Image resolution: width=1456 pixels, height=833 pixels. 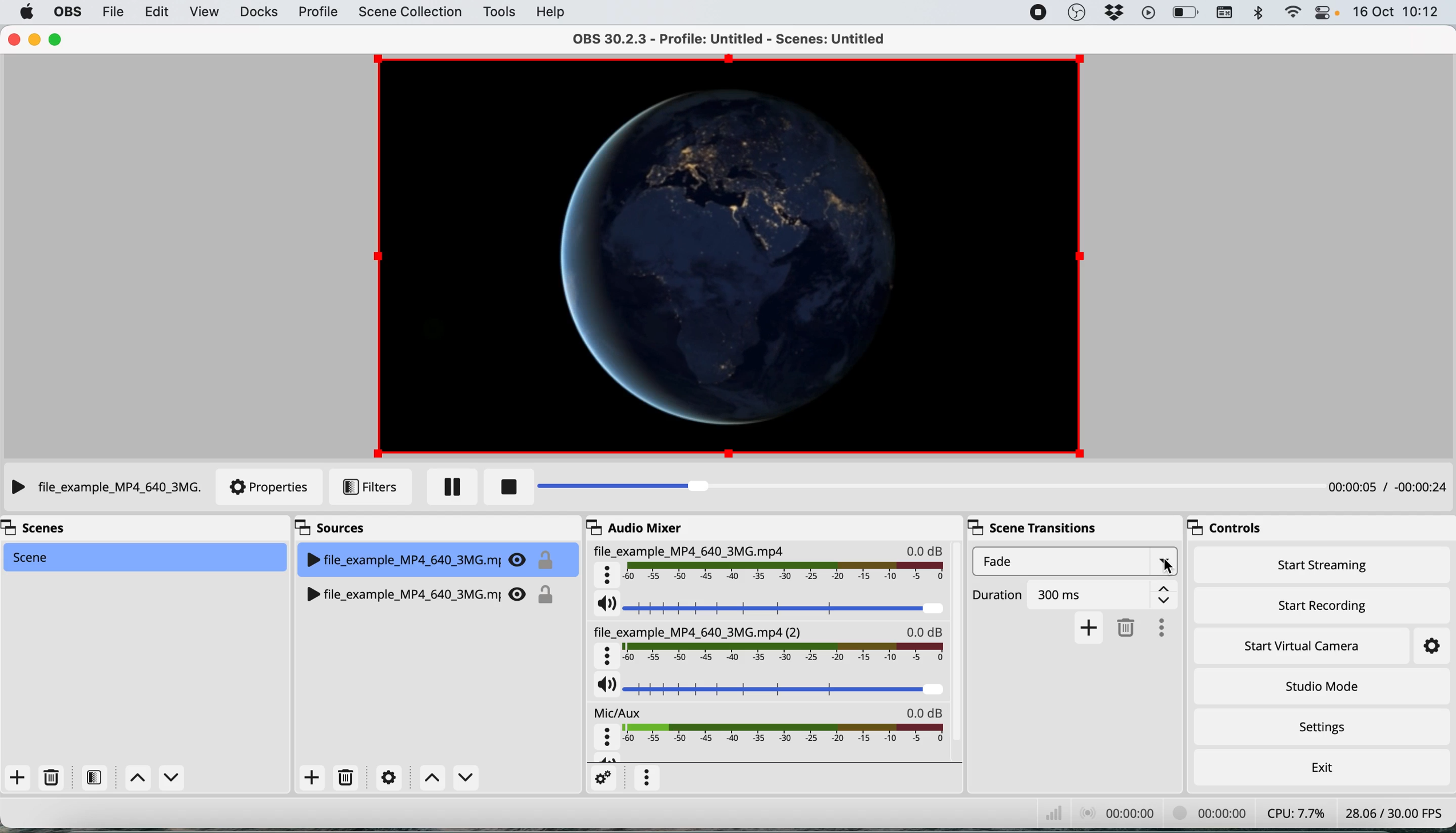 I want to click on scene transitions, so click(x=1034, y=527).